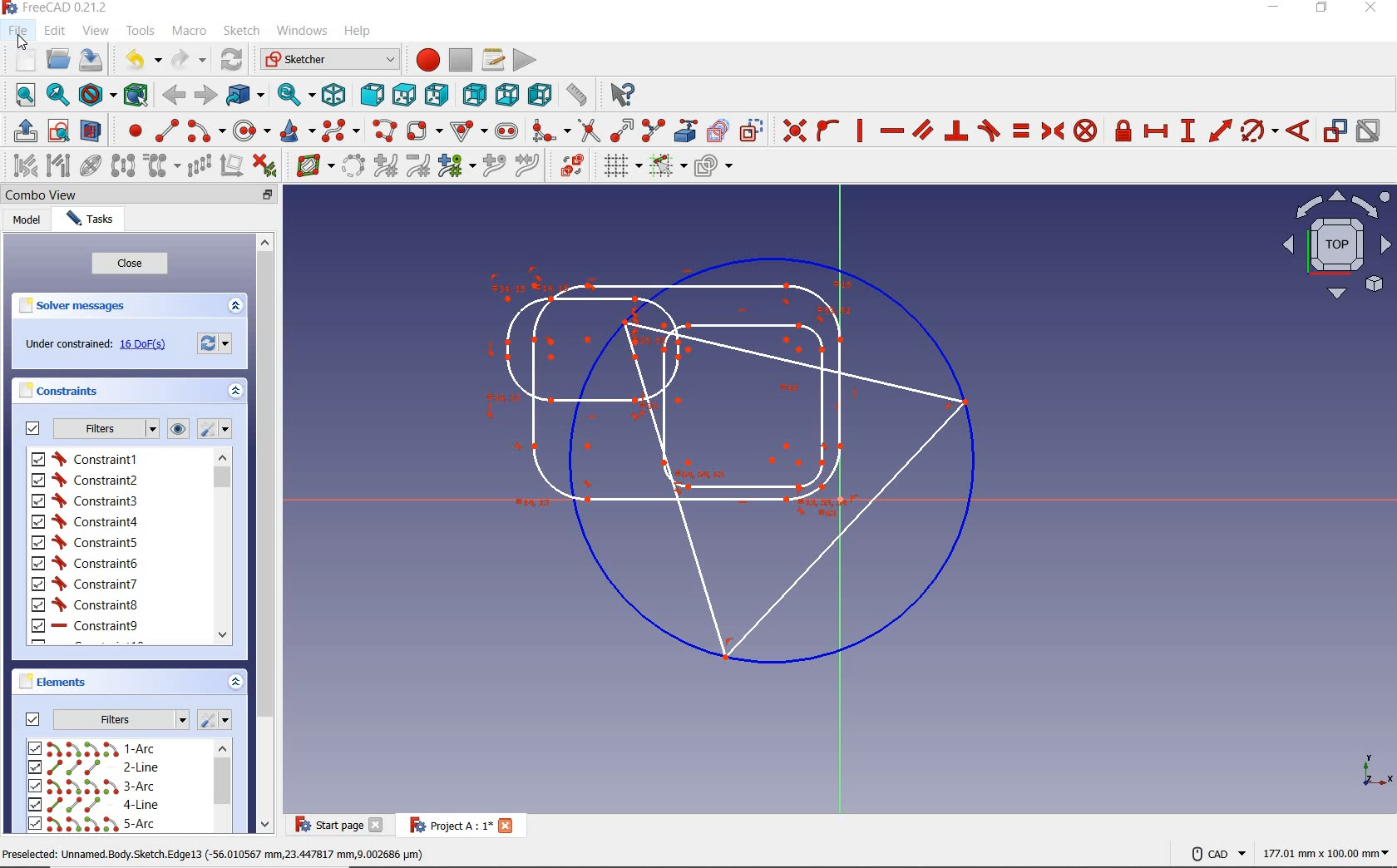  Describe the element at coordinates (403, 94) in the screenshot. I see `top` at that location.